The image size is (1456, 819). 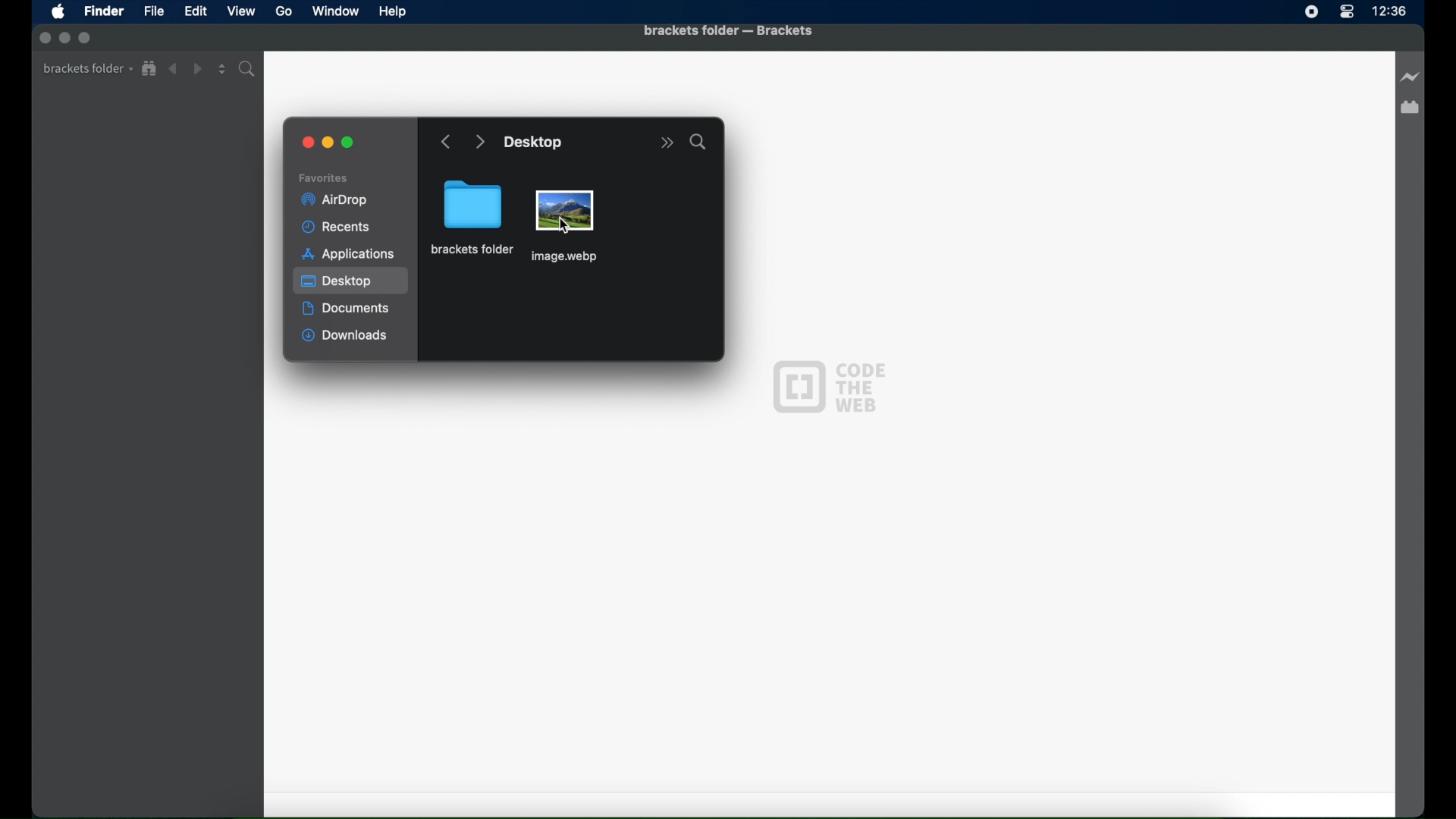 What do you see at coordinates (197, 69) in the screenshot?
I see `forward` at bounding box center [197, 69].